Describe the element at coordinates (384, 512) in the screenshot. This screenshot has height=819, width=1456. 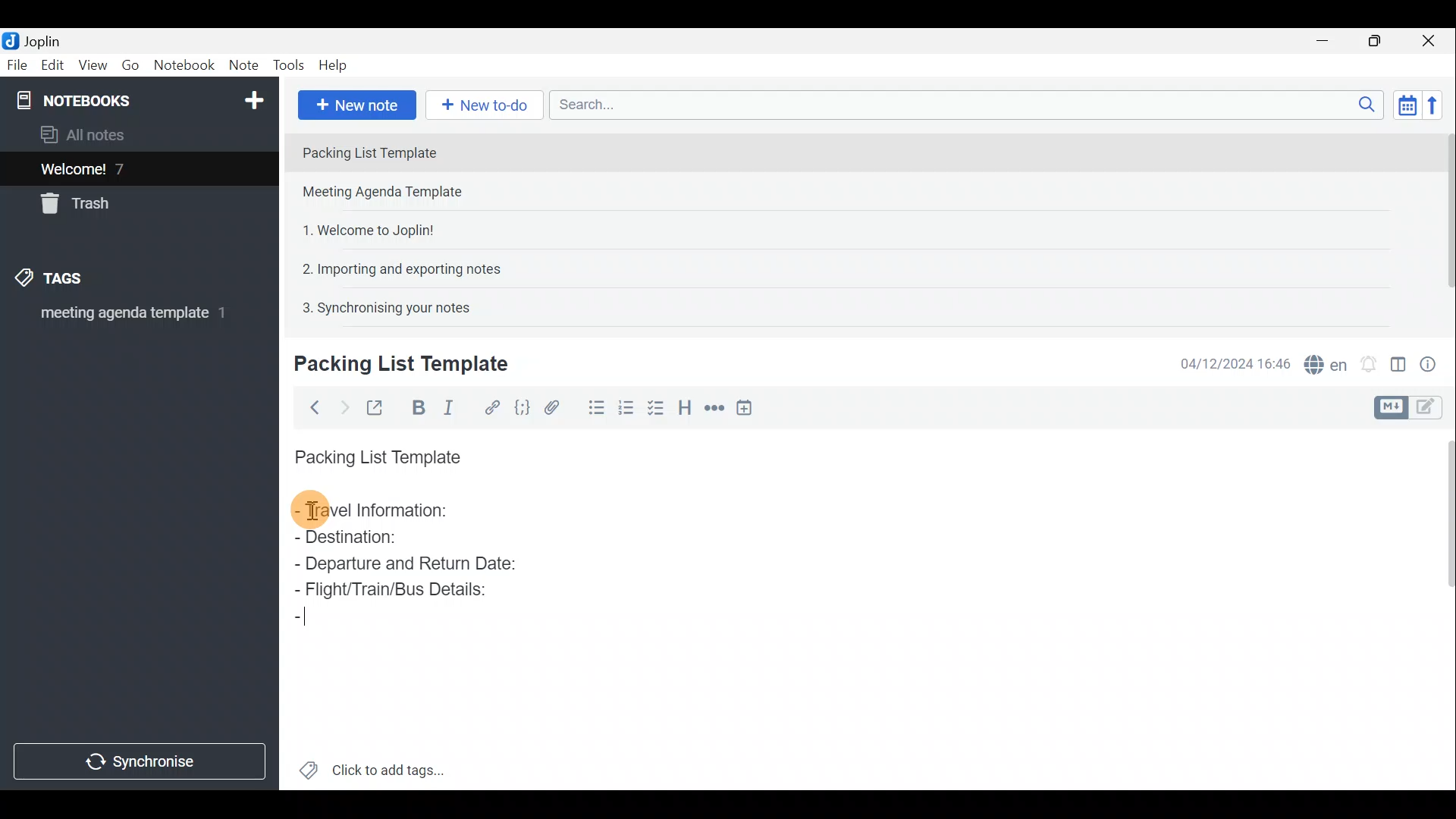
I see `Travel Information:` at that location.